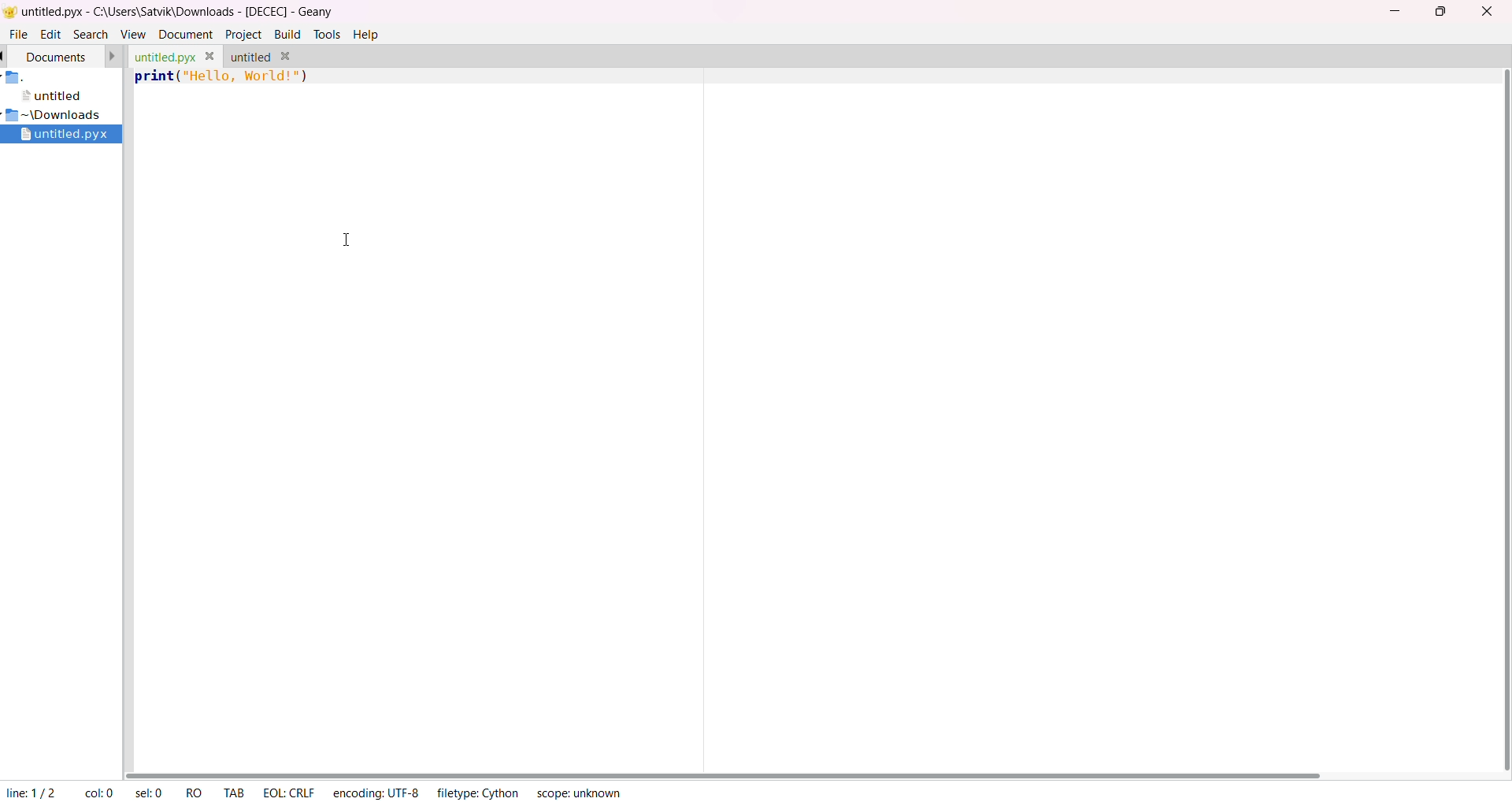 The width and height of the screenshot is (1512, 802). Describe the element at coordinates (146, 793) in the screenshot. I see `sel: 0` at that location.